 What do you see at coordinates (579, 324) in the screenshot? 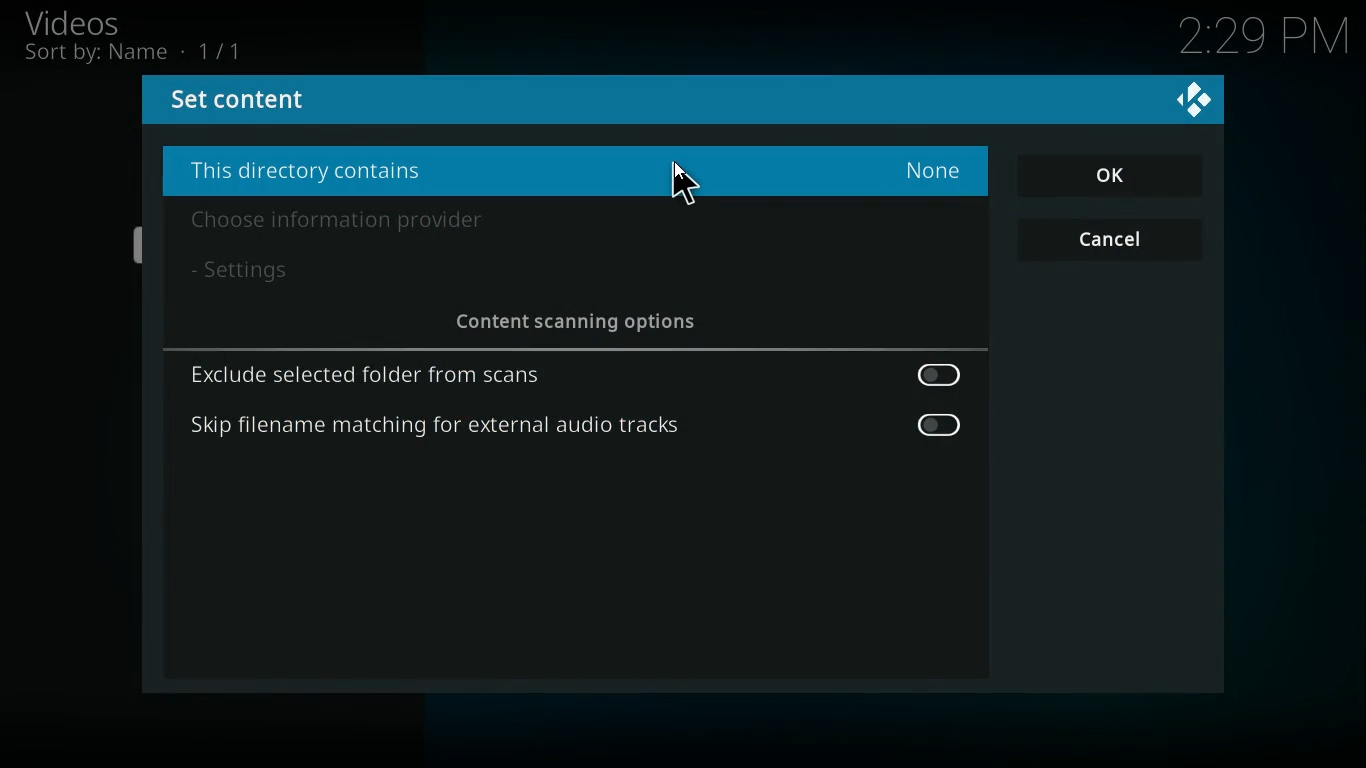
I see `content scanning options` at bounding box center [579, 324].